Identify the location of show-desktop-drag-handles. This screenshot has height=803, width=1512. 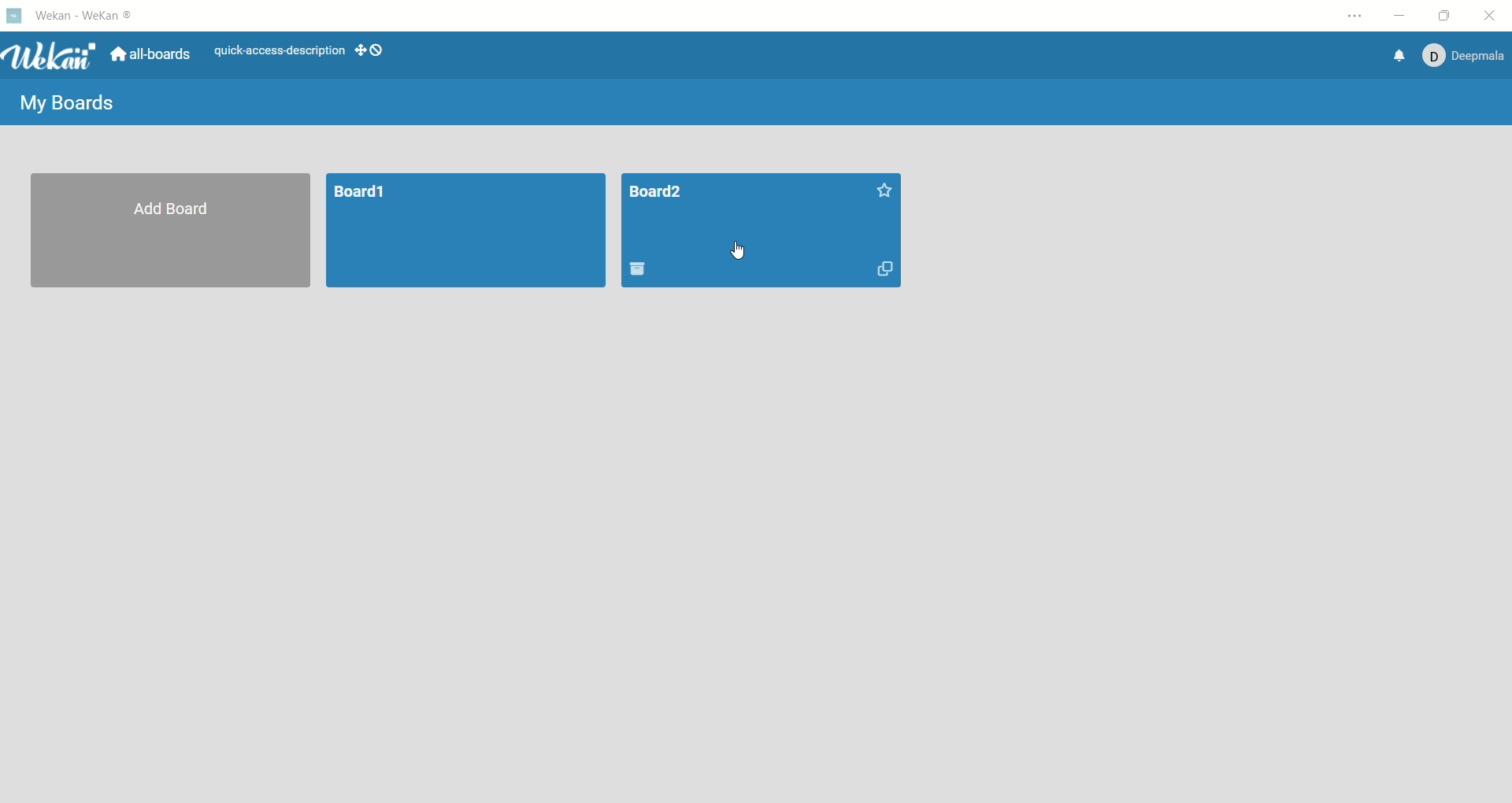
(376, 52).